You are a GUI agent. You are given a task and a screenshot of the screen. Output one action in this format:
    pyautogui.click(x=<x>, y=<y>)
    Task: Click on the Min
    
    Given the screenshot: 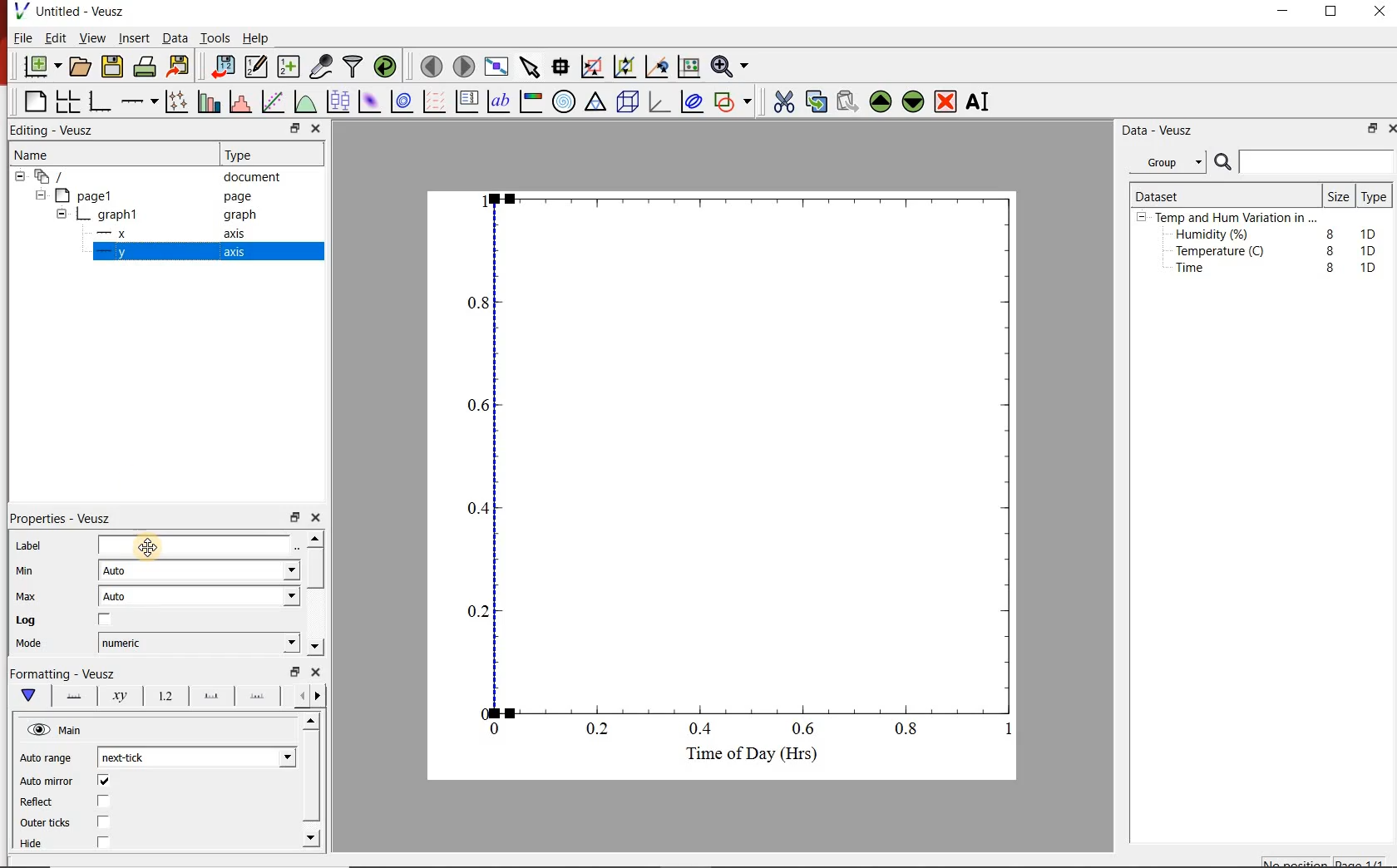 What is the action you would take?
    pyautogui.click(x=37, y=570)
    